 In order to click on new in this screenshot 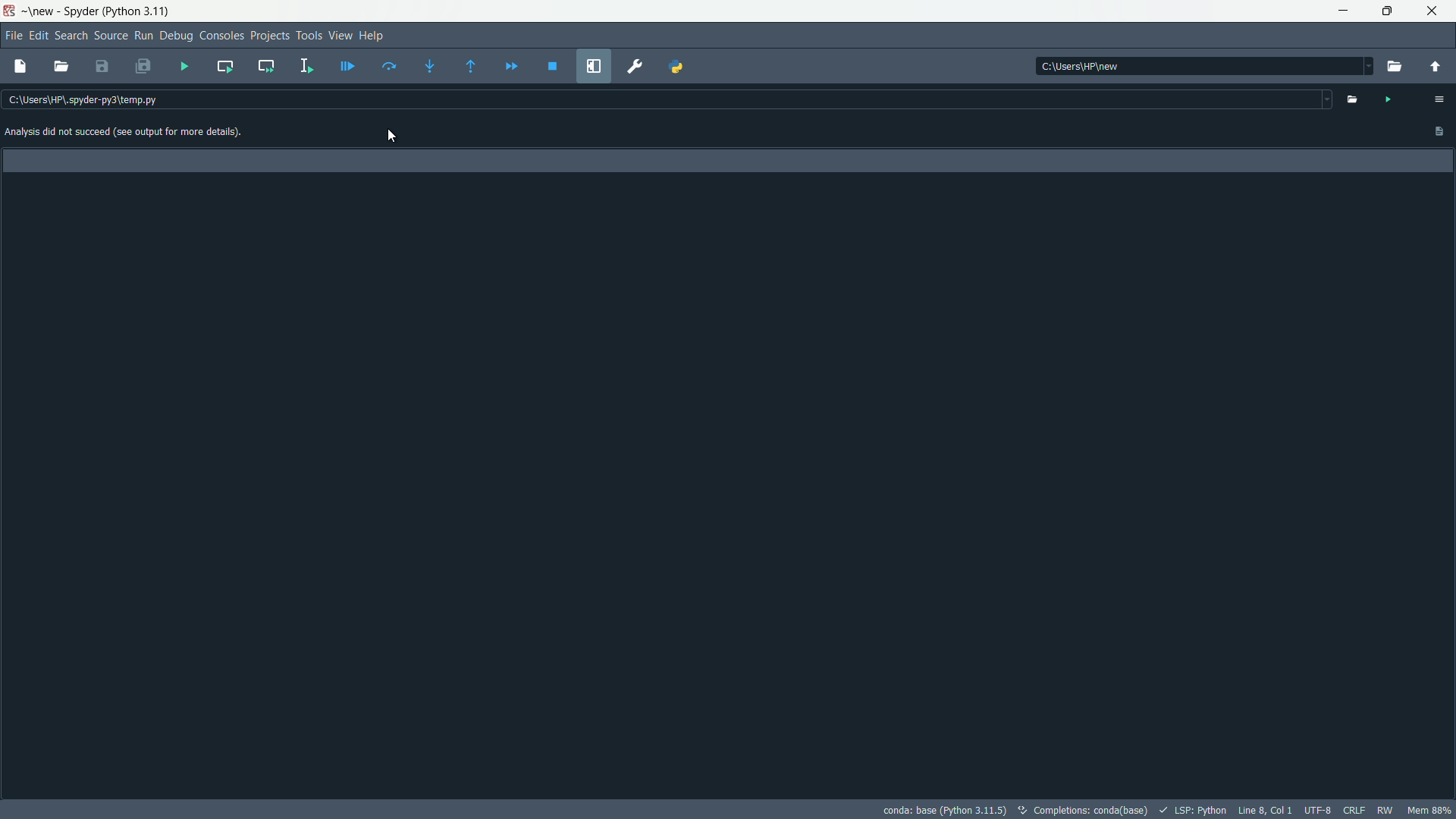, I will do `click(42, 12)`.